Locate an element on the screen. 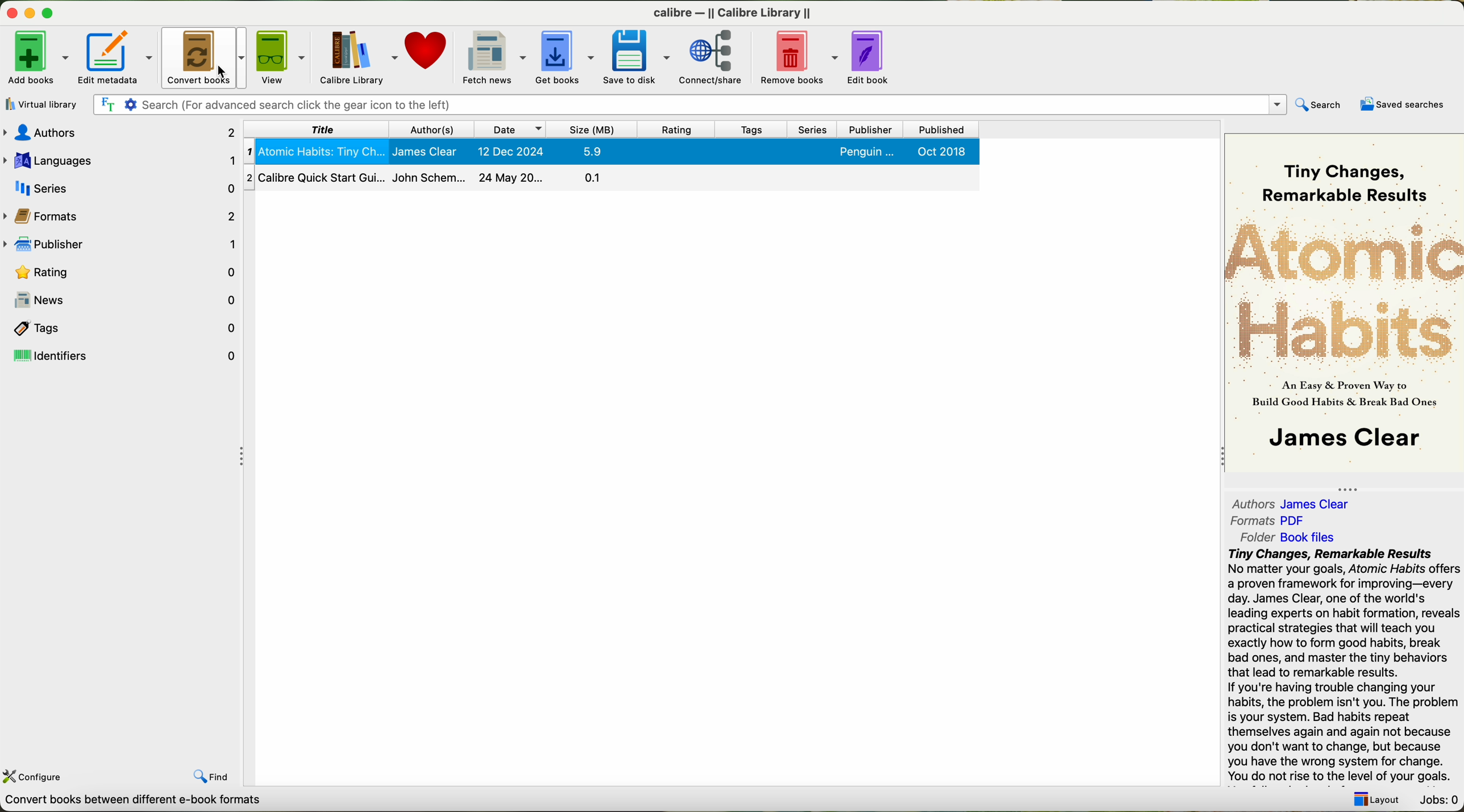  first book is located at coordinates (610, 152).